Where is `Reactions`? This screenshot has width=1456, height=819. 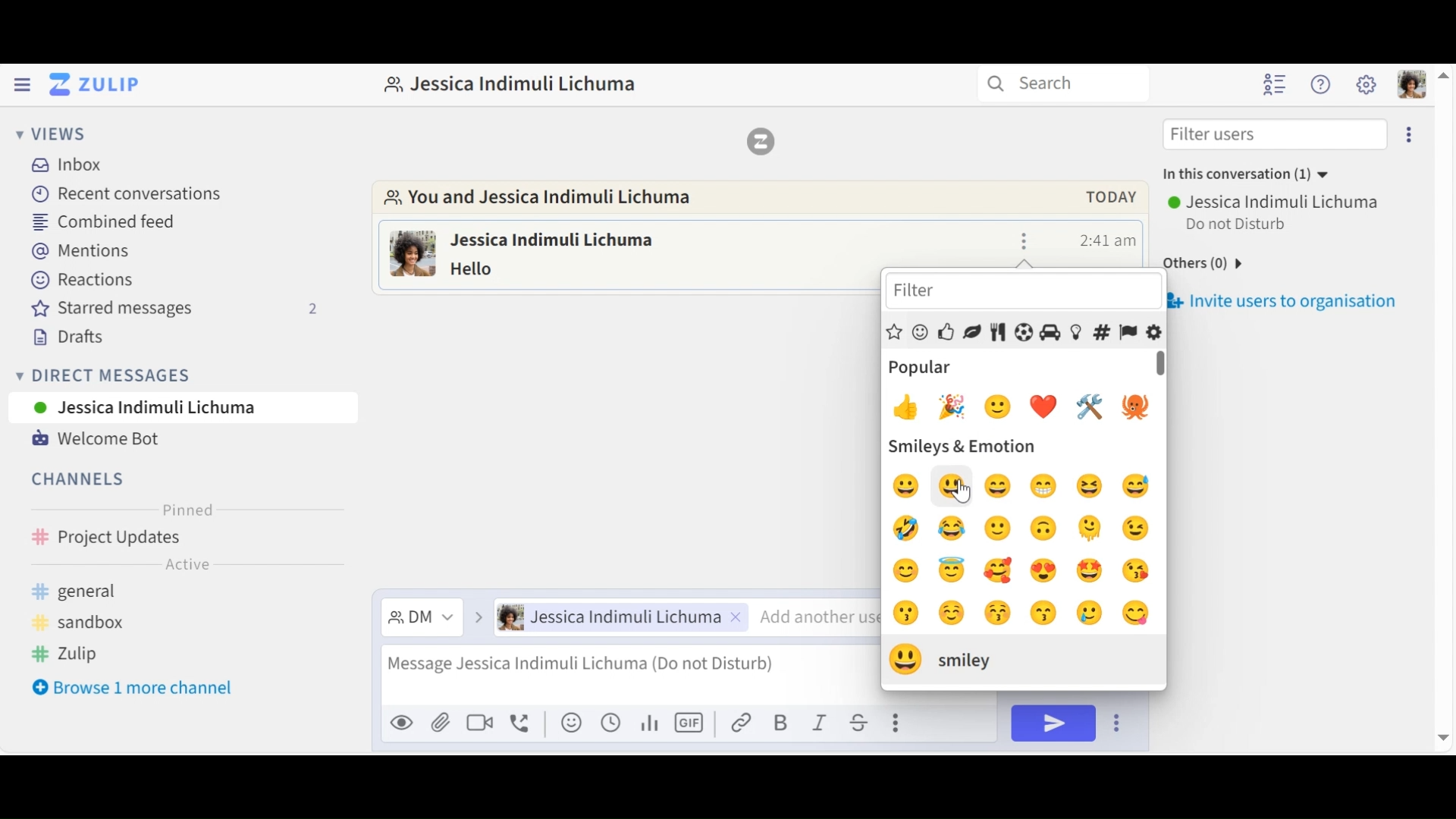
Reactions is located at coordinates (80, 281).